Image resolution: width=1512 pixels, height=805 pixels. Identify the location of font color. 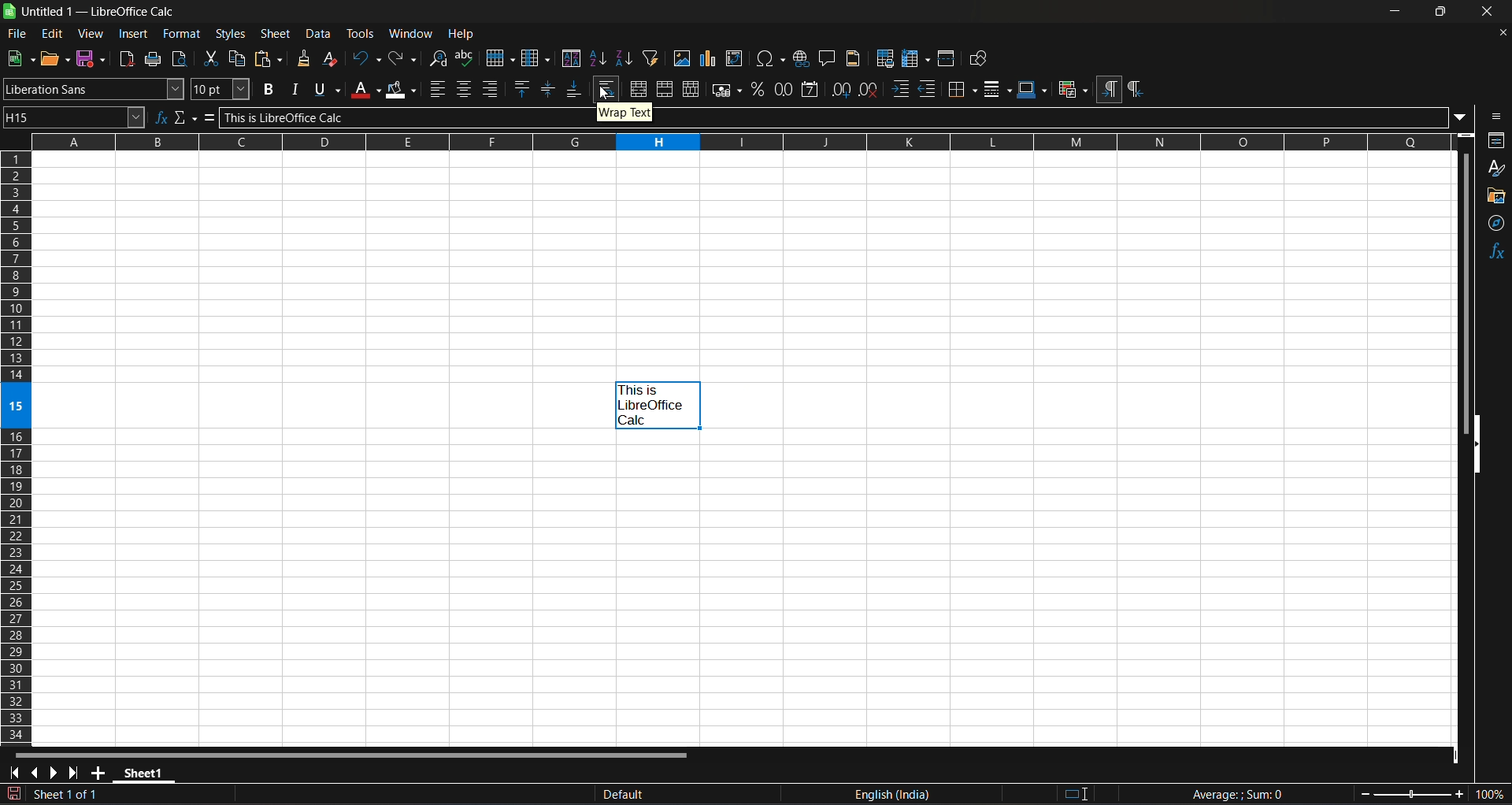
(365, 88).